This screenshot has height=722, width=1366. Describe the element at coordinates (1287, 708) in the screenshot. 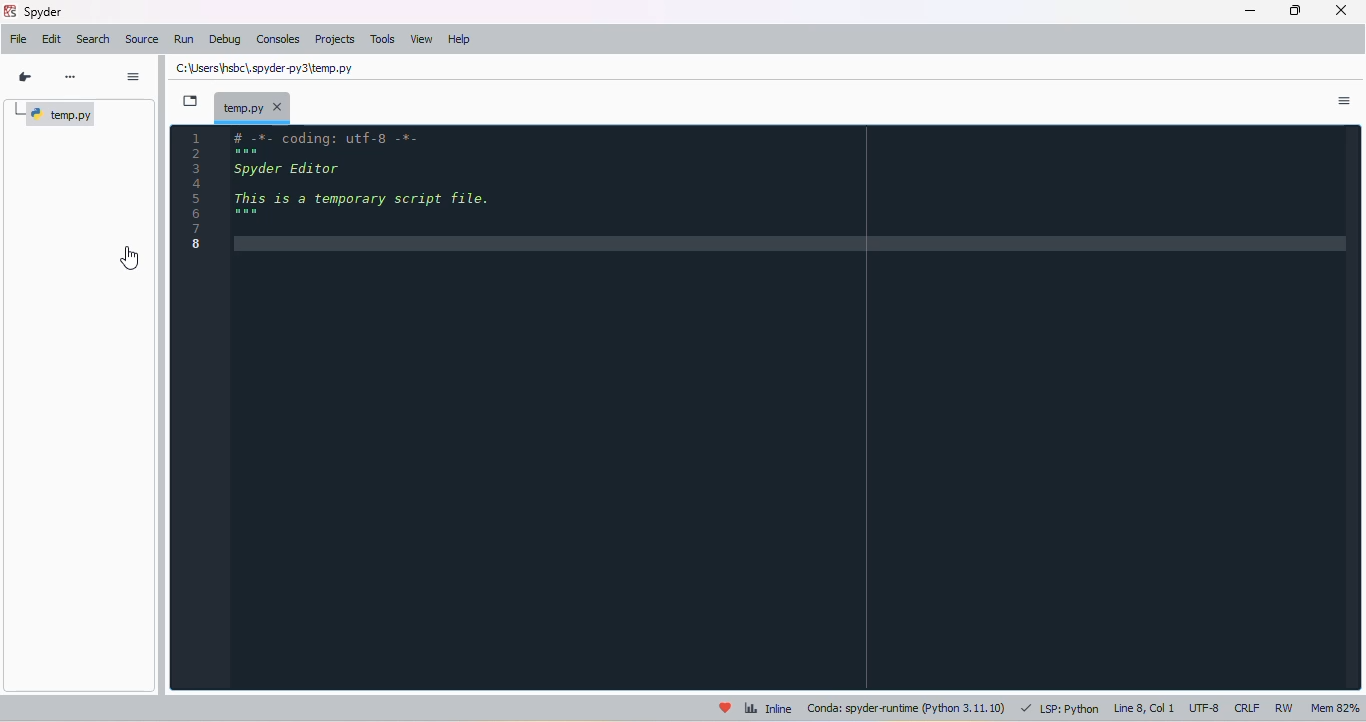

I see `RW` at that location.